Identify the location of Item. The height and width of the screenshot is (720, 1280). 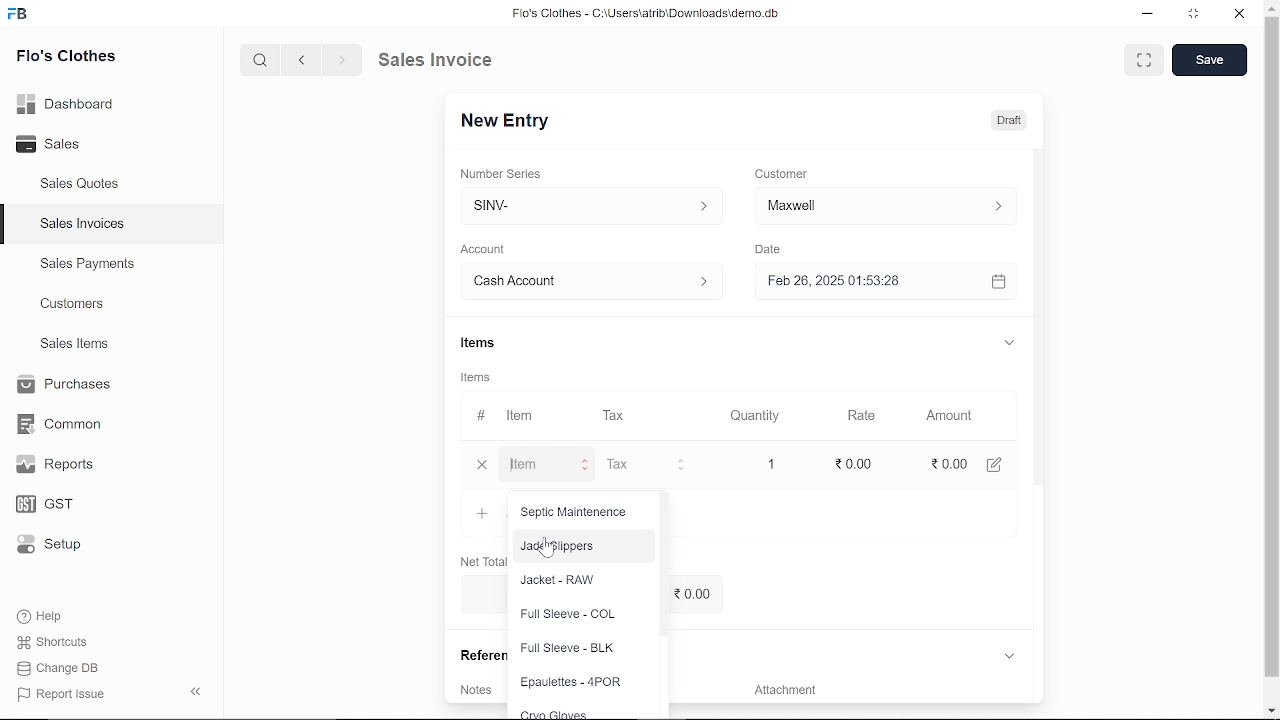
(517, 417).